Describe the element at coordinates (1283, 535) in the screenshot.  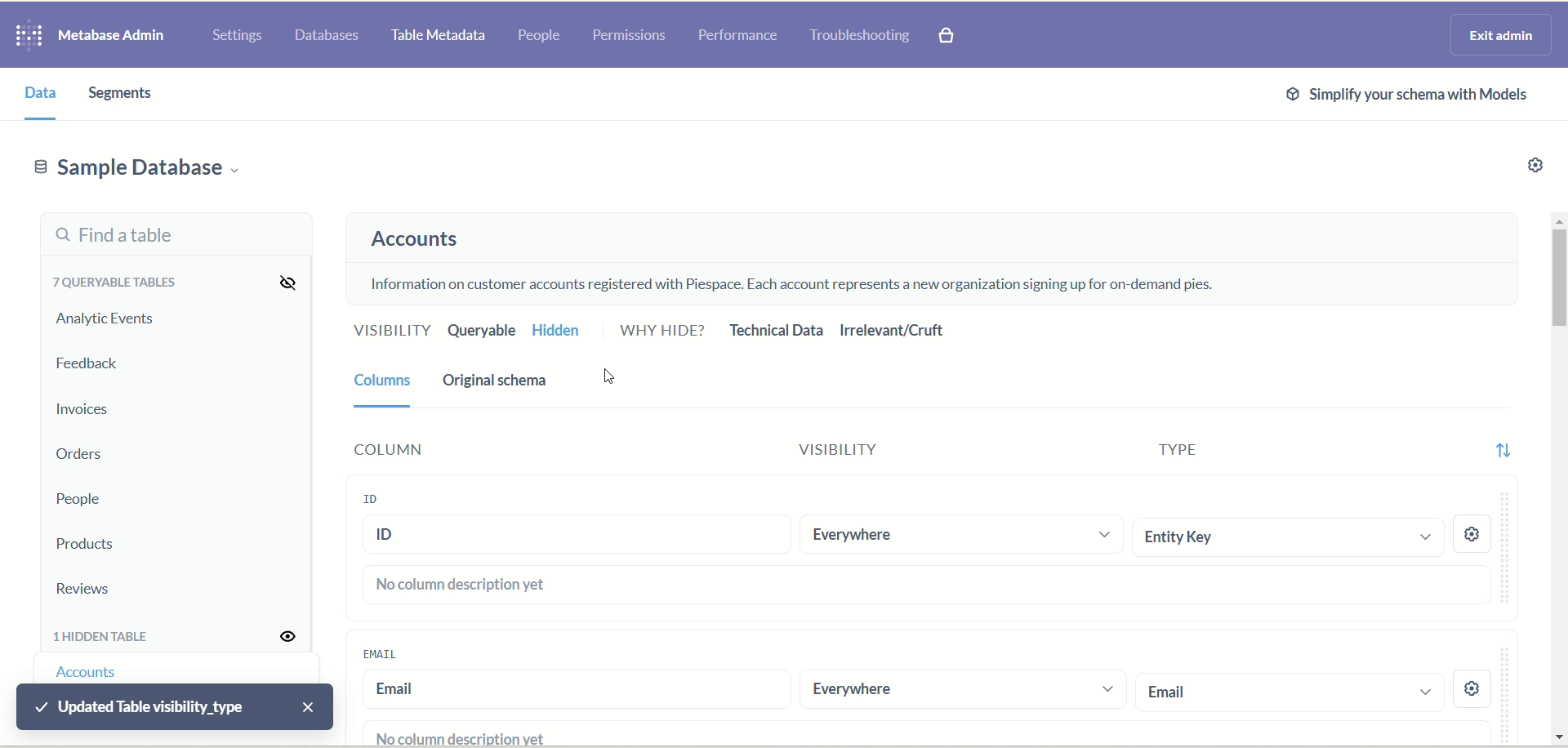
I see `ID type` at that location.